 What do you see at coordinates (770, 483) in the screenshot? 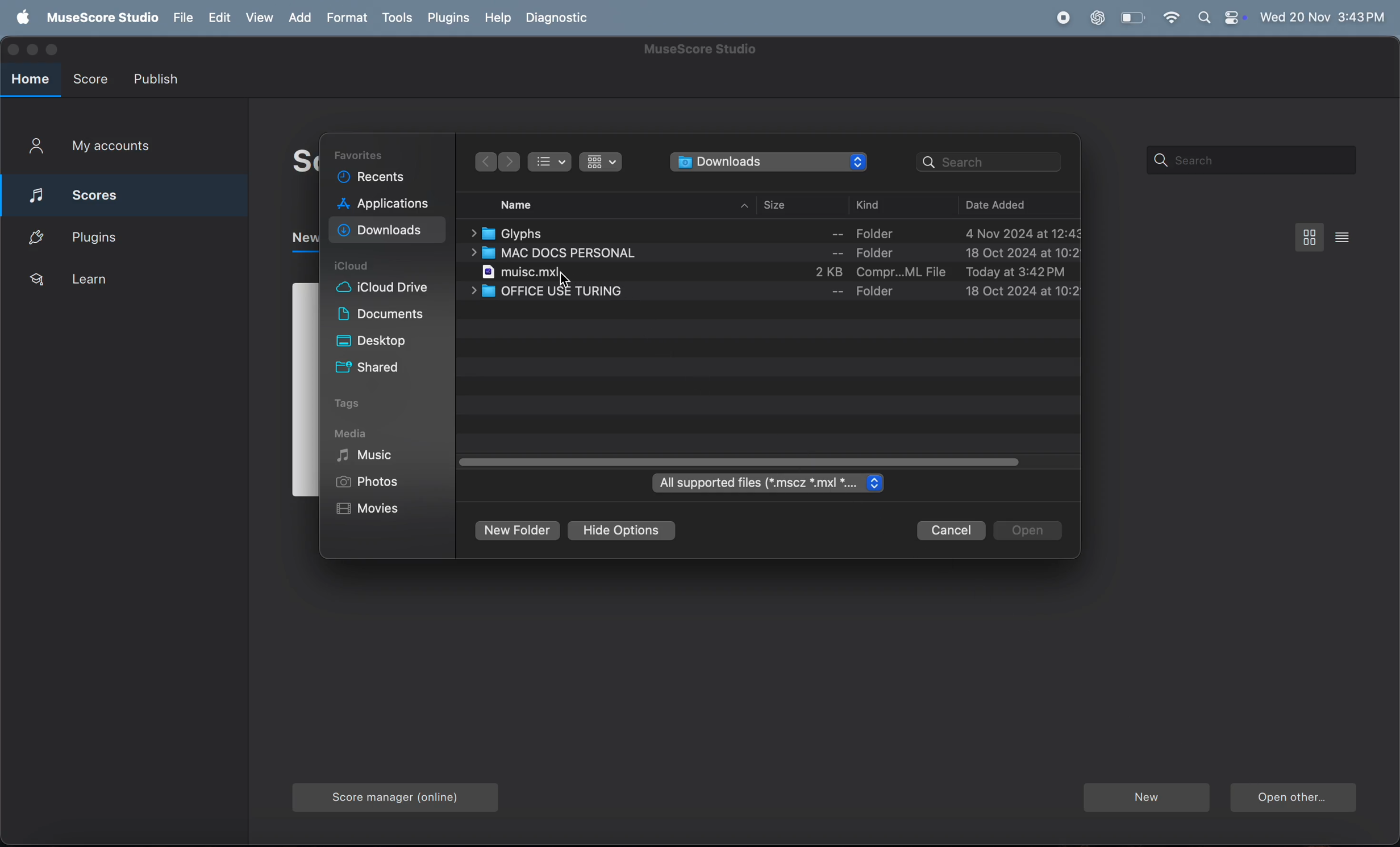
I see `all supported files` at bounding box center [770, 483].